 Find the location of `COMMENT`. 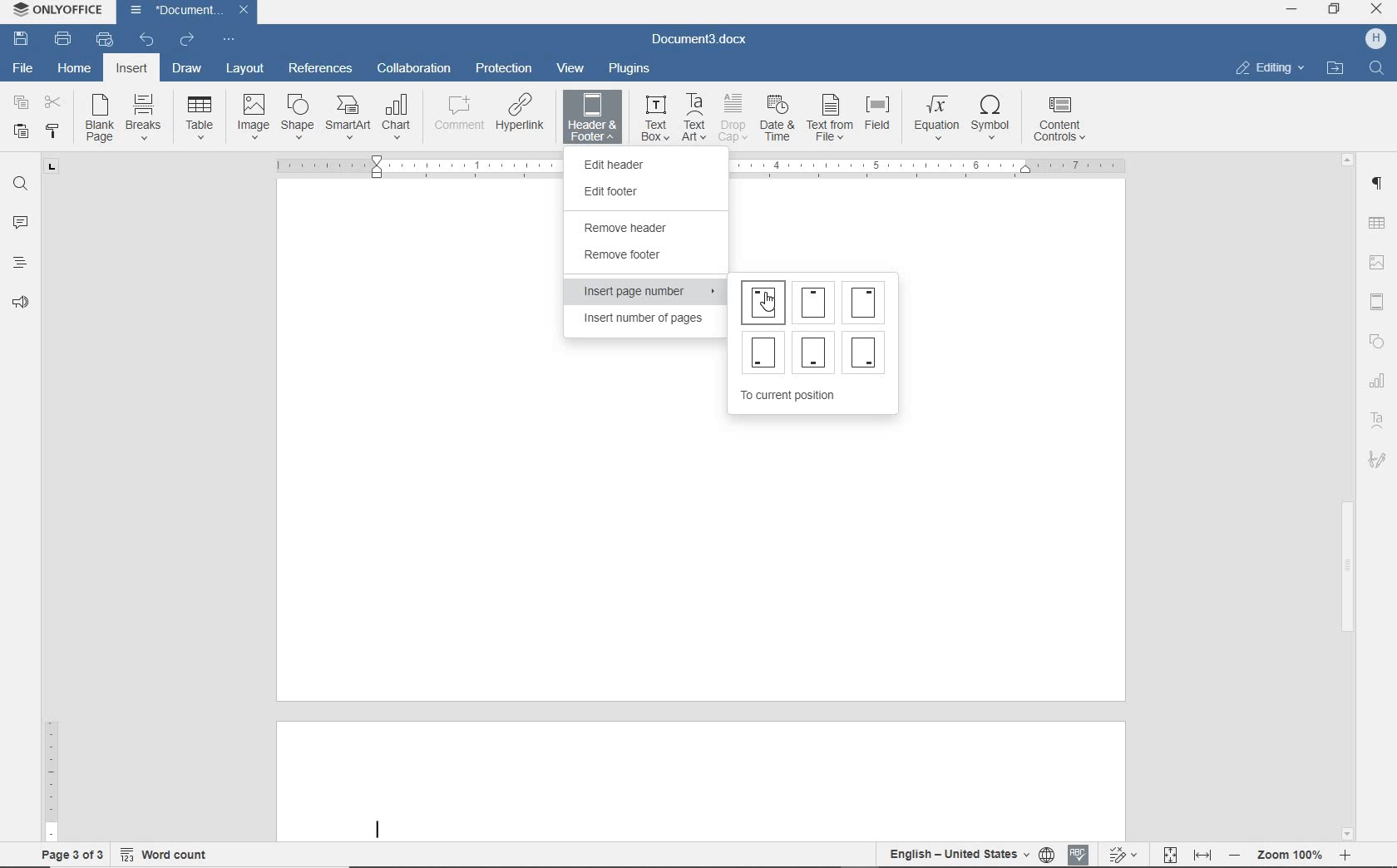

COMMENT is located at coordinates (456, 118).